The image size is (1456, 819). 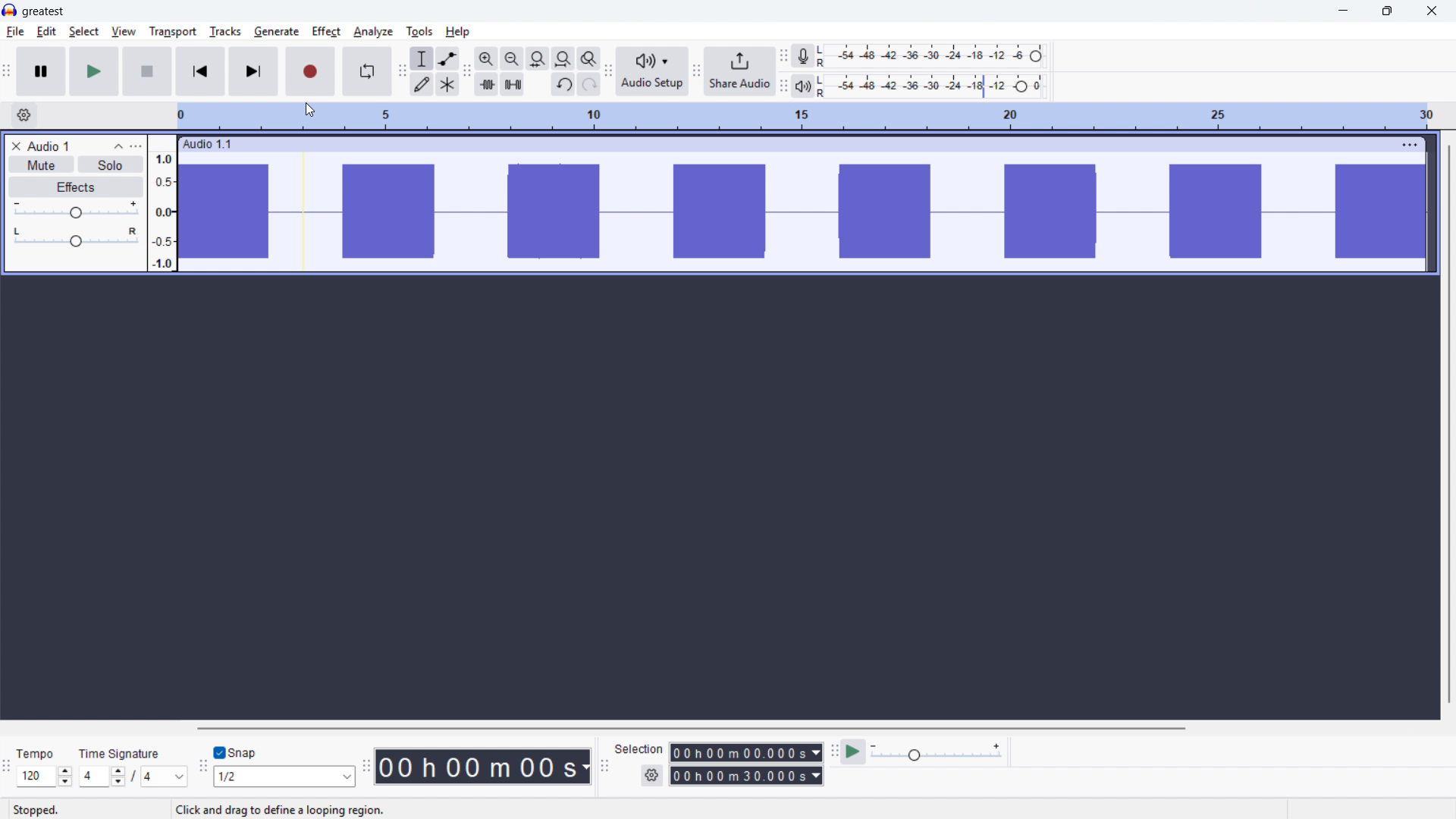 I want to click on Track options, so click(x=1408, y=145).